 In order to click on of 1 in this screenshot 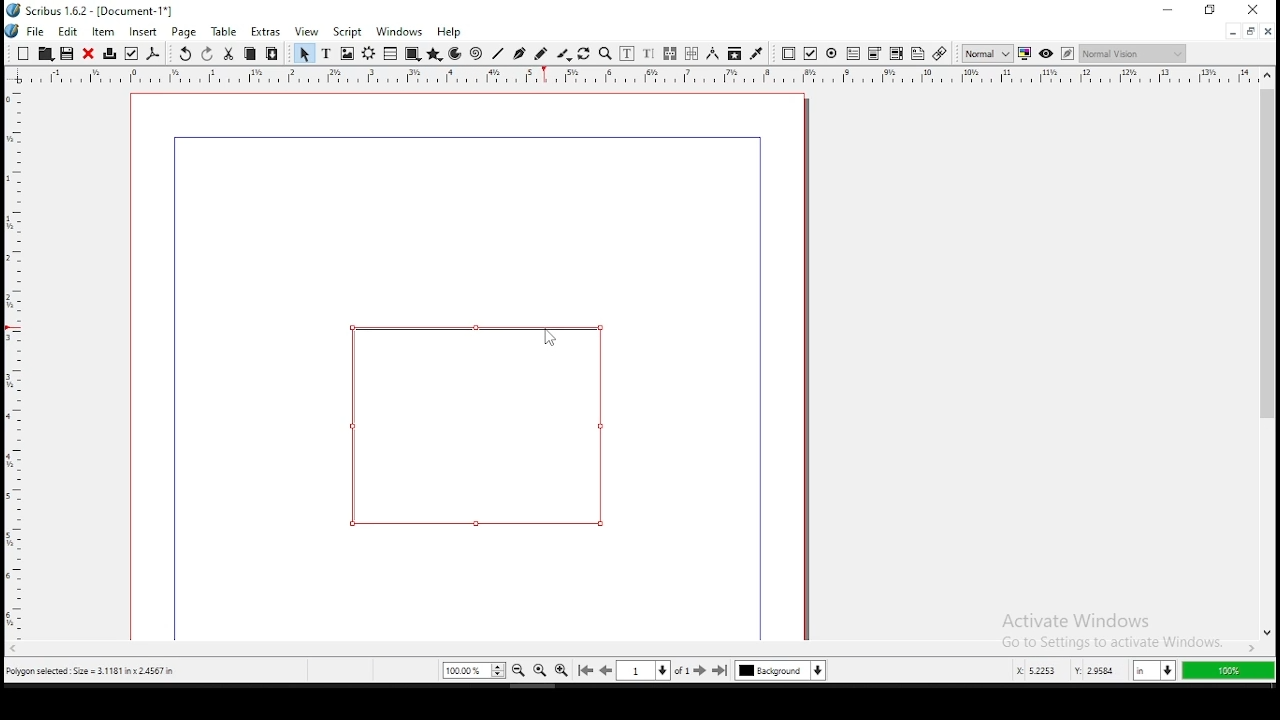, I will do `click(682, 670)`.